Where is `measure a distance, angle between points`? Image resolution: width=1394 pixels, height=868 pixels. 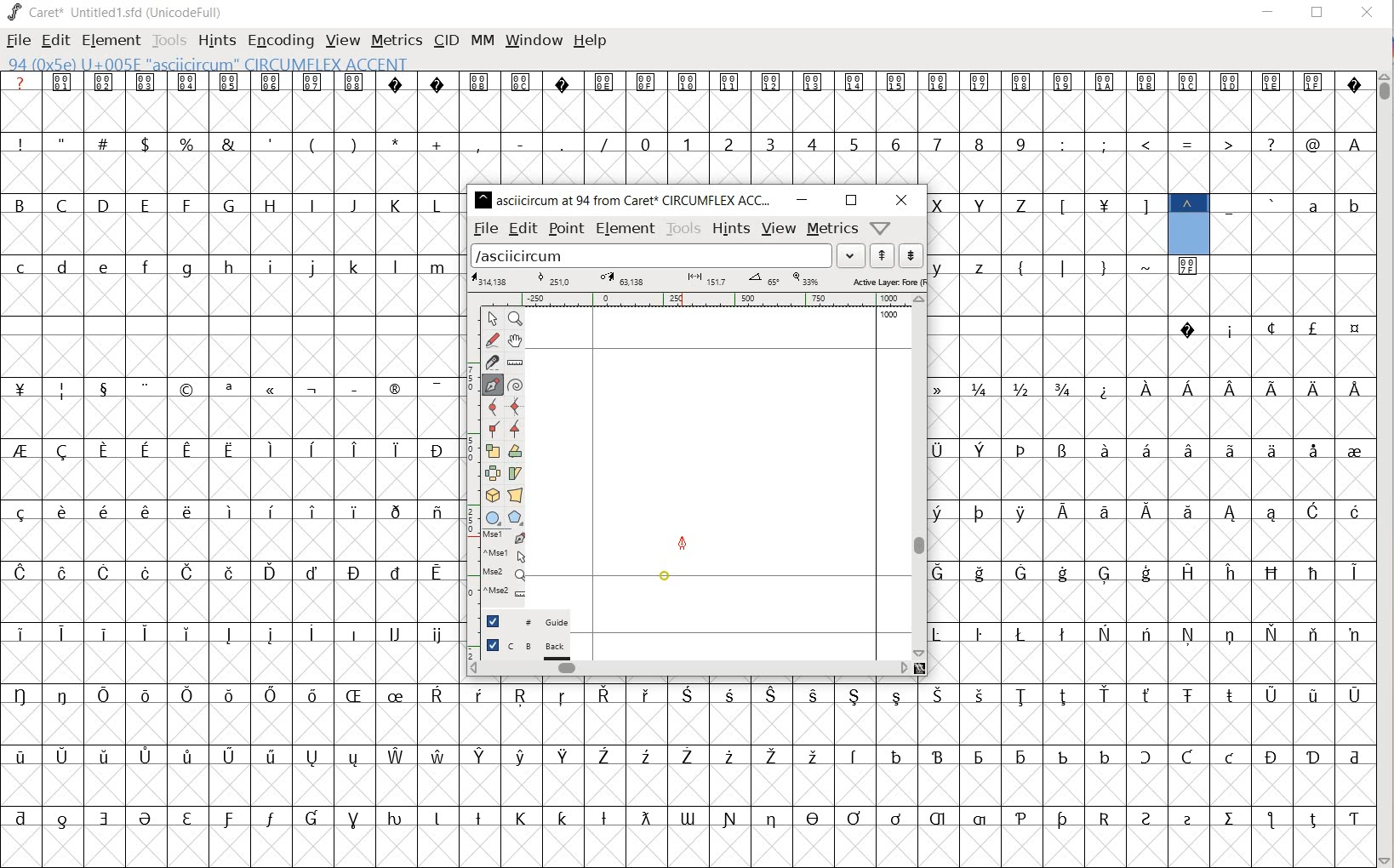 measure a distance, angle between points is located at coordinates (517, 362).